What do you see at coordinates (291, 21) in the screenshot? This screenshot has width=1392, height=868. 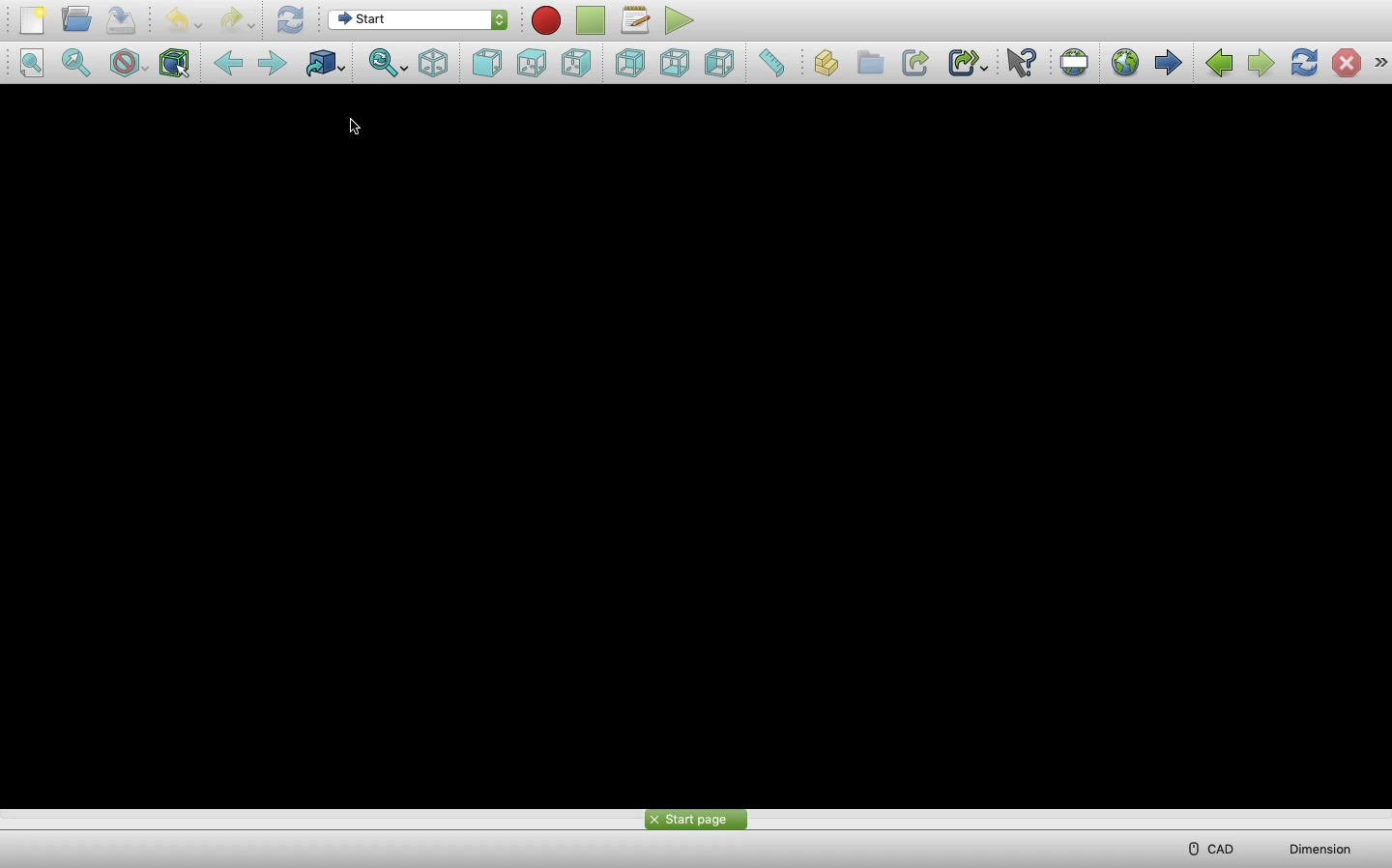 I see `Refresh` at bounding box center [291, 21].